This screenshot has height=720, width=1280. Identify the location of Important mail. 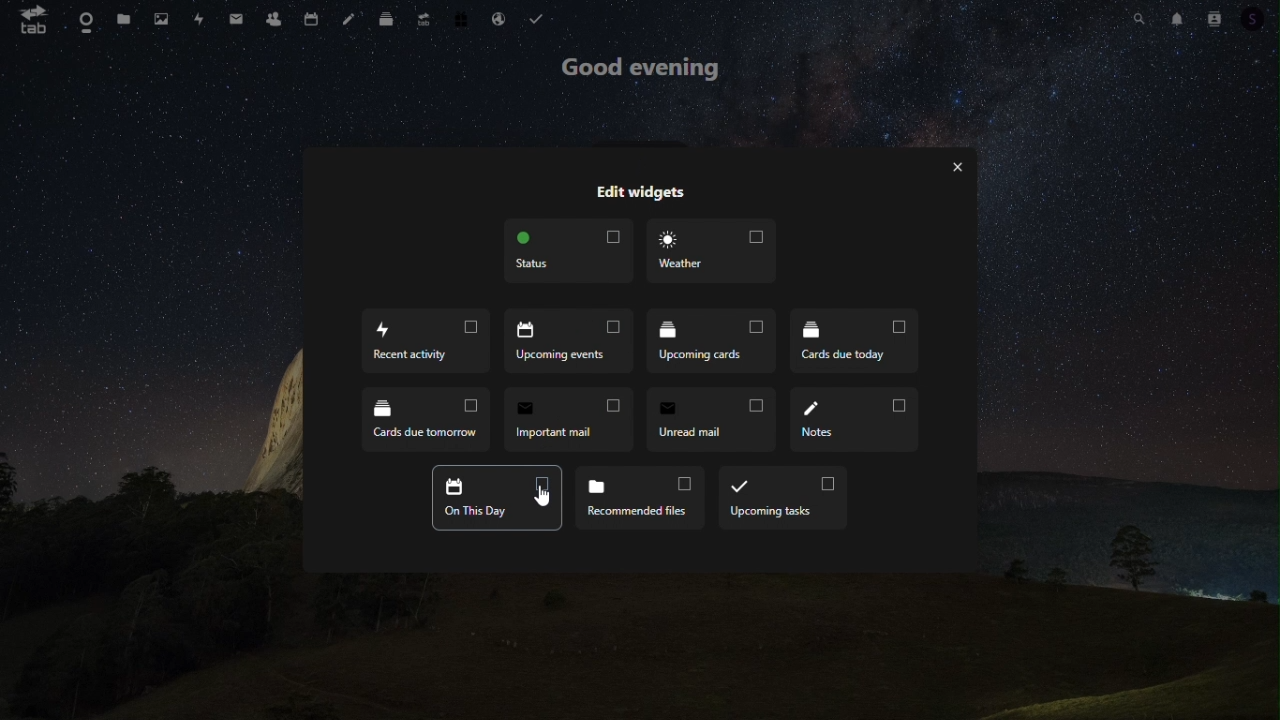
(573, 418).